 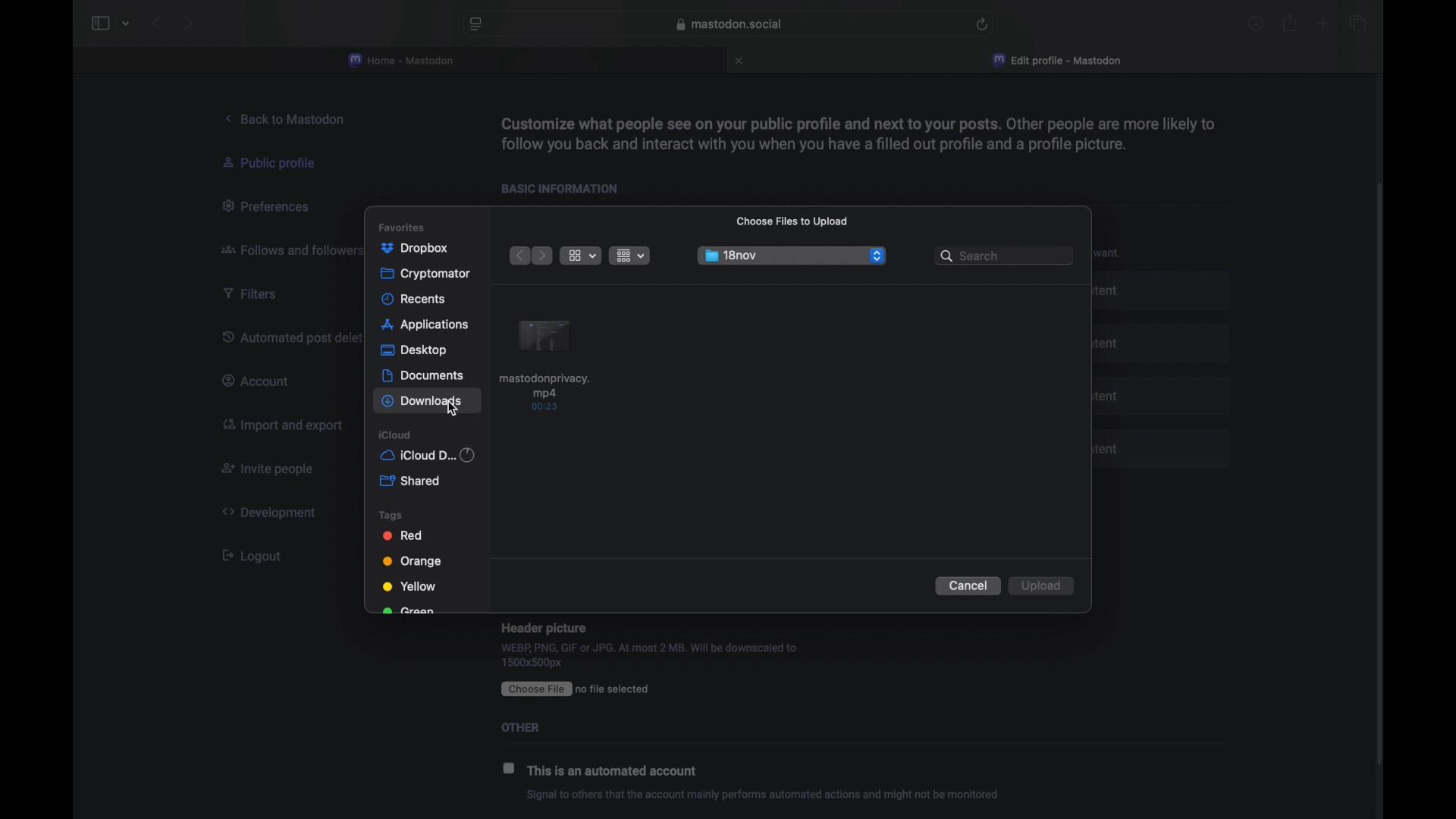 What do you see at coordinates (983, 24) in the screenshot?
I see `refresh` at bounding box center [983, 24].